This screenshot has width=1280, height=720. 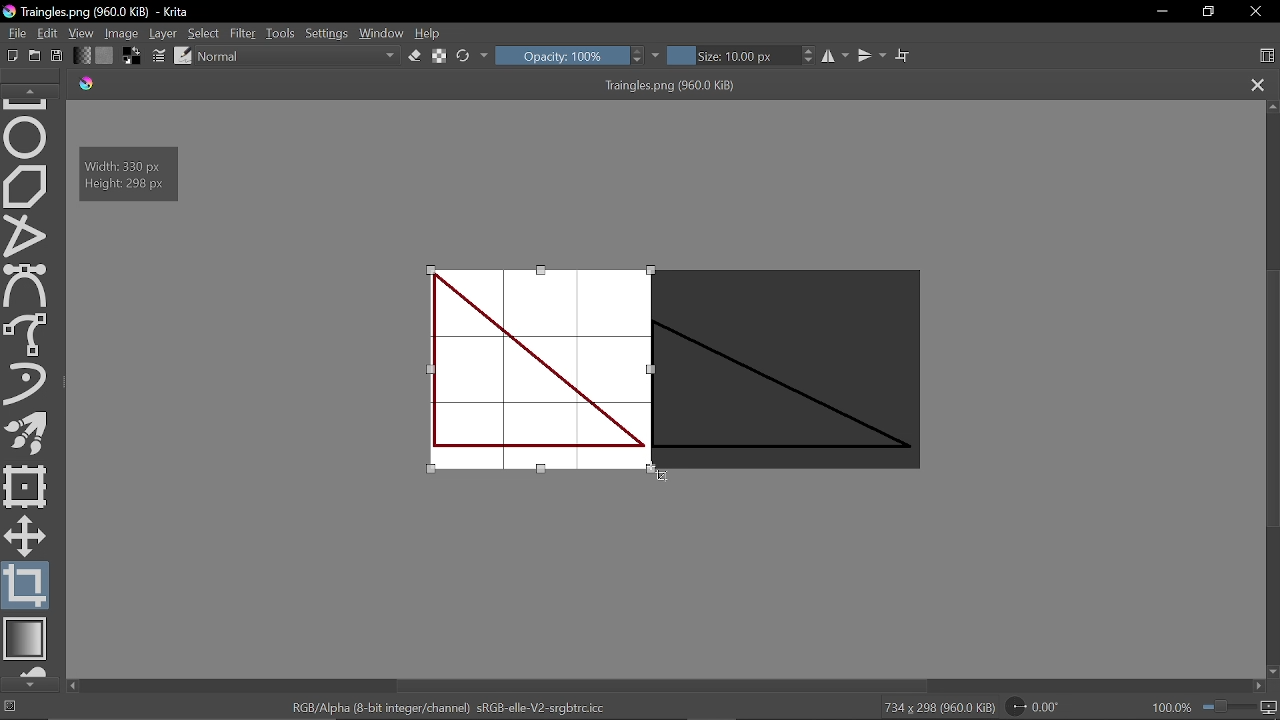 I want to click on Help, so click(x=430, y=34).